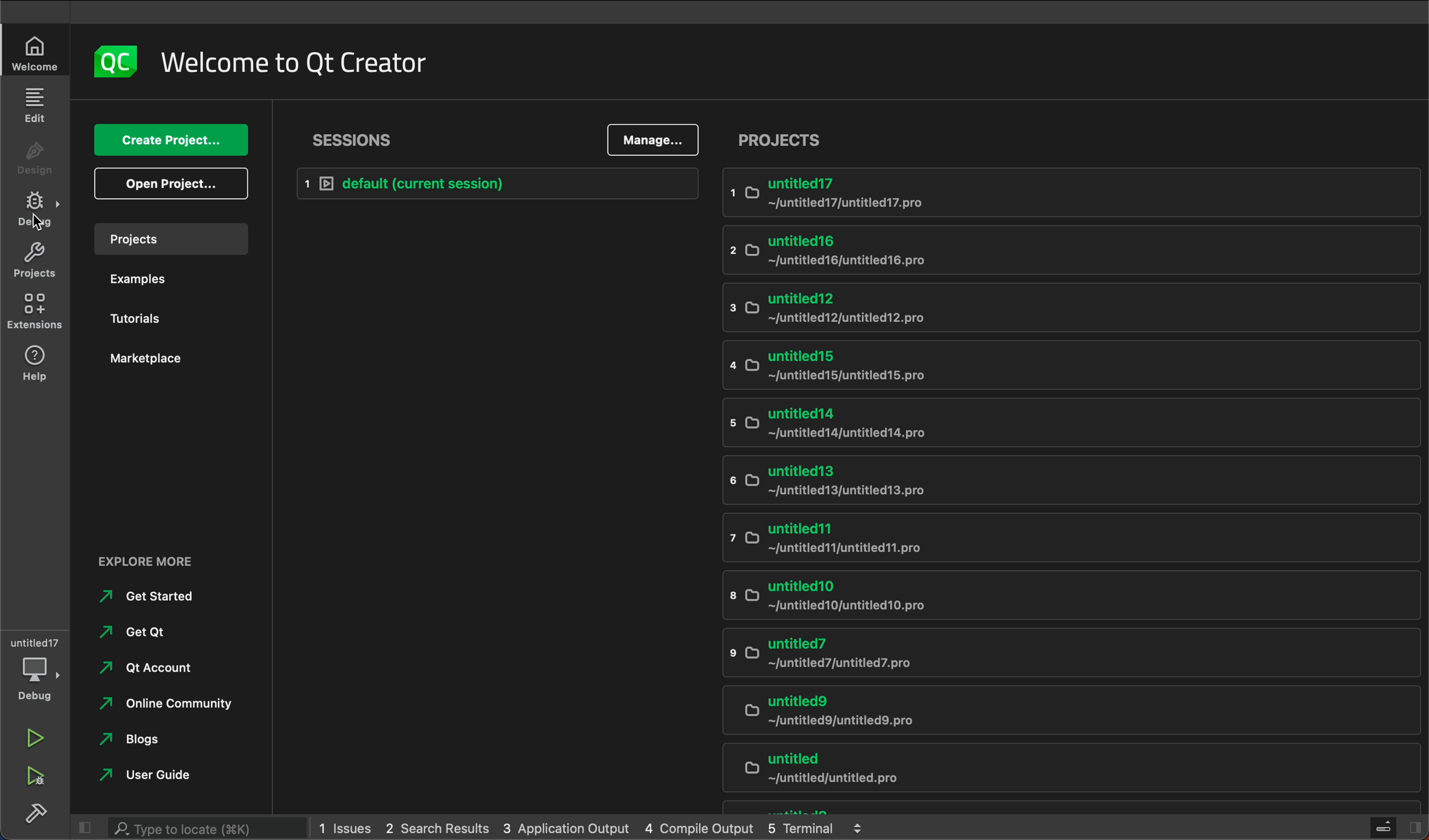  What do you see at coordinates (40, 260) in the screenshot?
I see `projects` at bounding box center [40, 260].